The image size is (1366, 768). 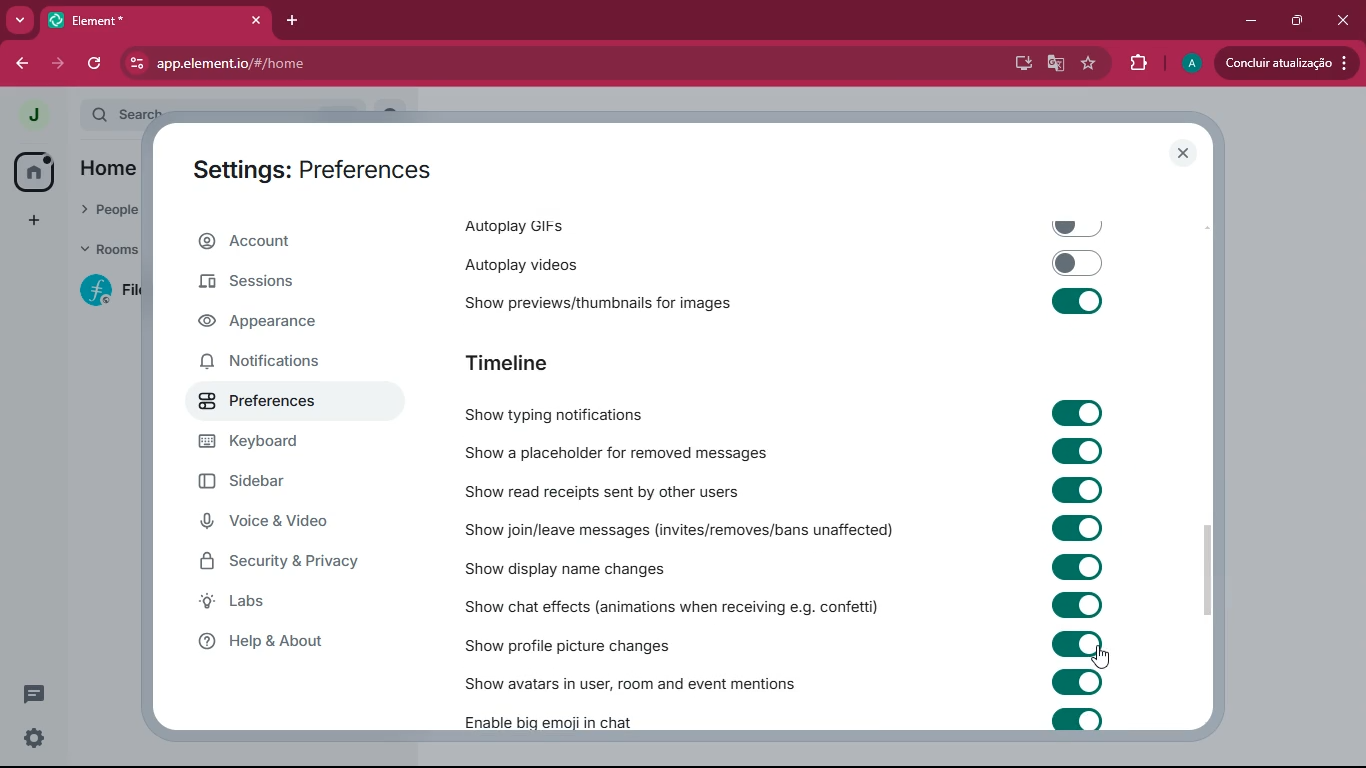 I want to click on search tabs, so click(x=20, y=21).